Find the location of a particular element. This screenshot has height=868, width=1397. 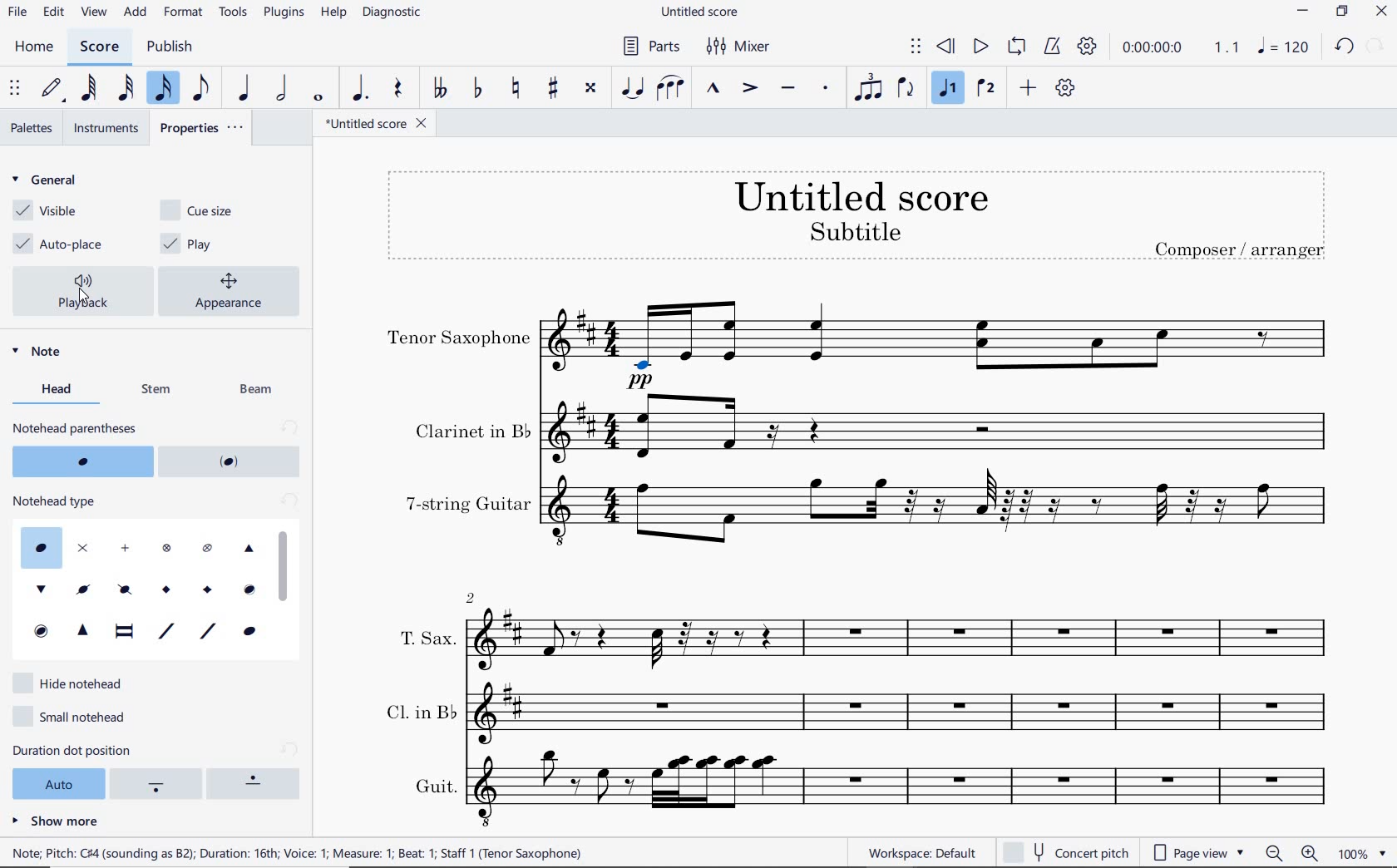

palettes is located at coordinates (32, 128).